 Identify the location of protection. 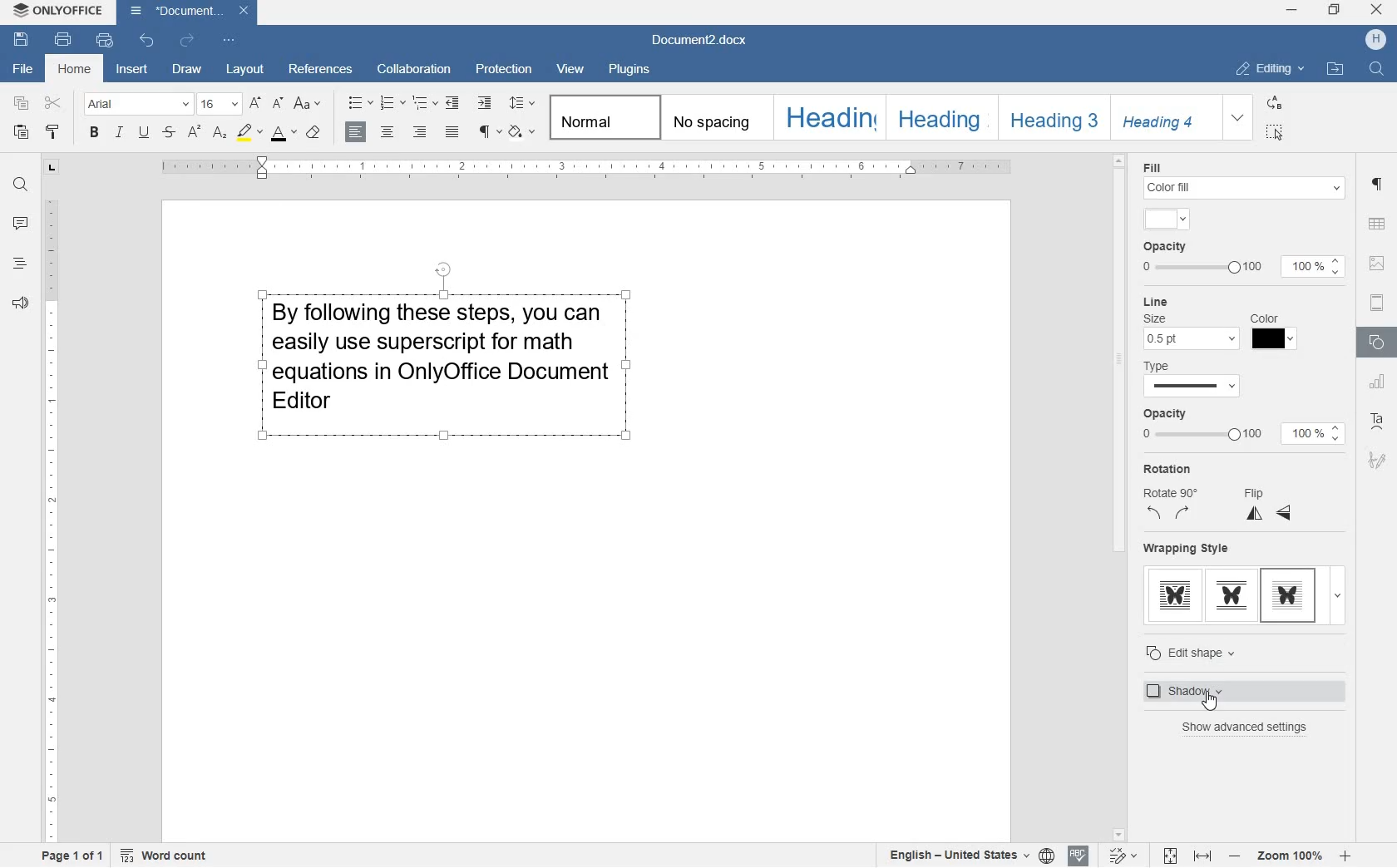
(505, 67).